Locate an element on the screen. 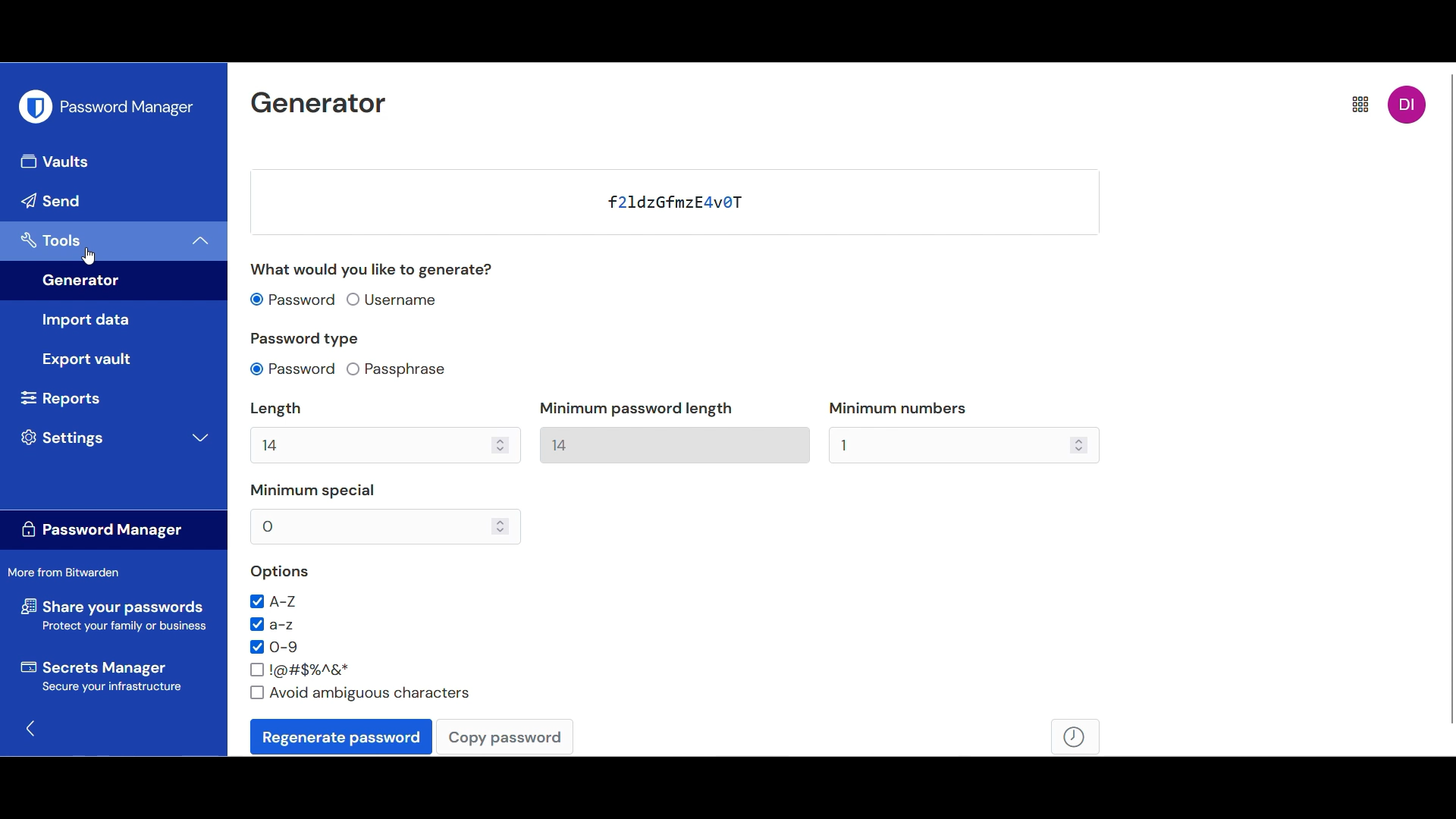 The height and width of the screenshot is (819, 1456). What would you like to generate is located at coordinates (375, 270).